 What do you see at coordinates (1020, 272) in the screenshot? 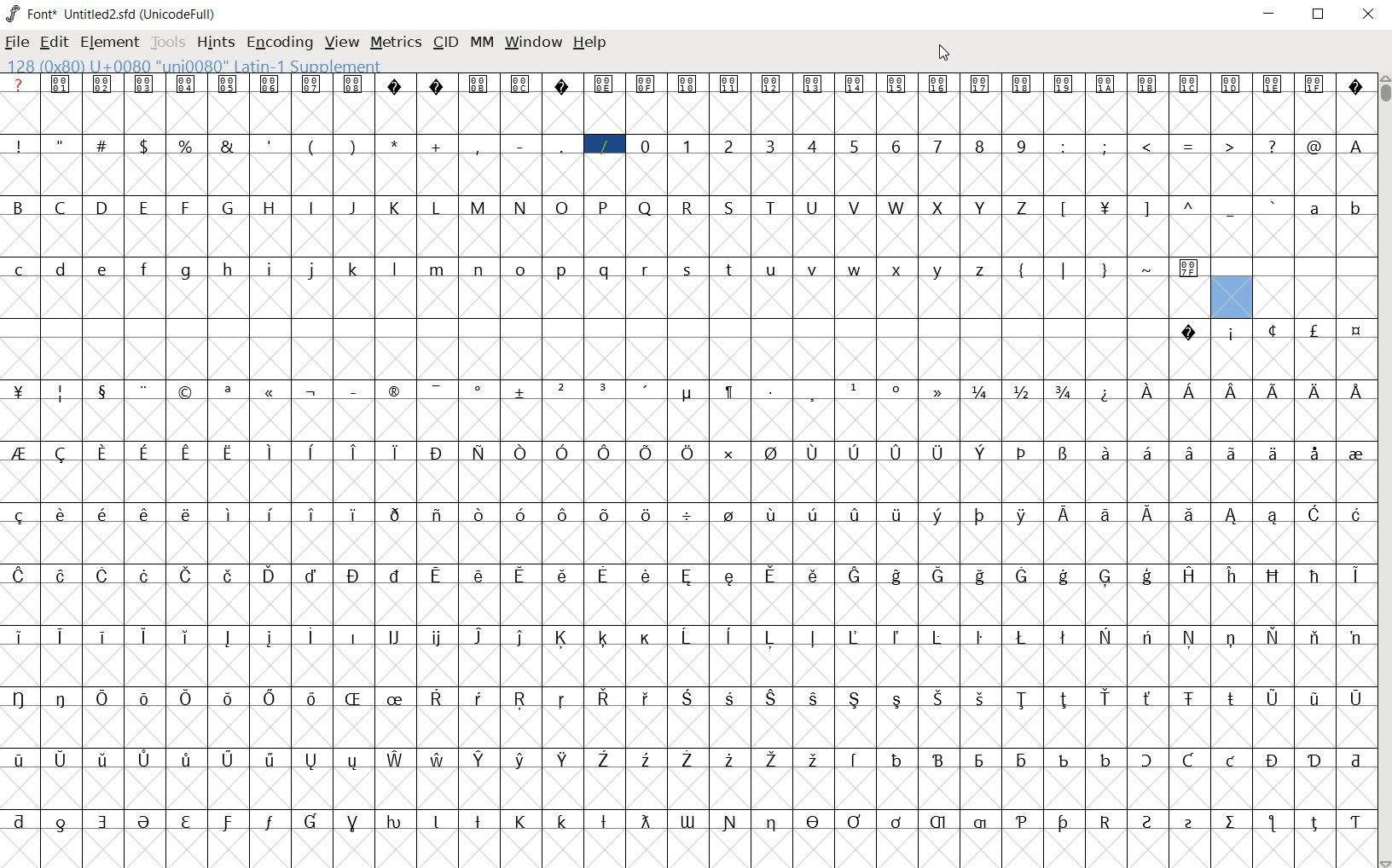
I see `glyph` at bounding box center [1020, 272].